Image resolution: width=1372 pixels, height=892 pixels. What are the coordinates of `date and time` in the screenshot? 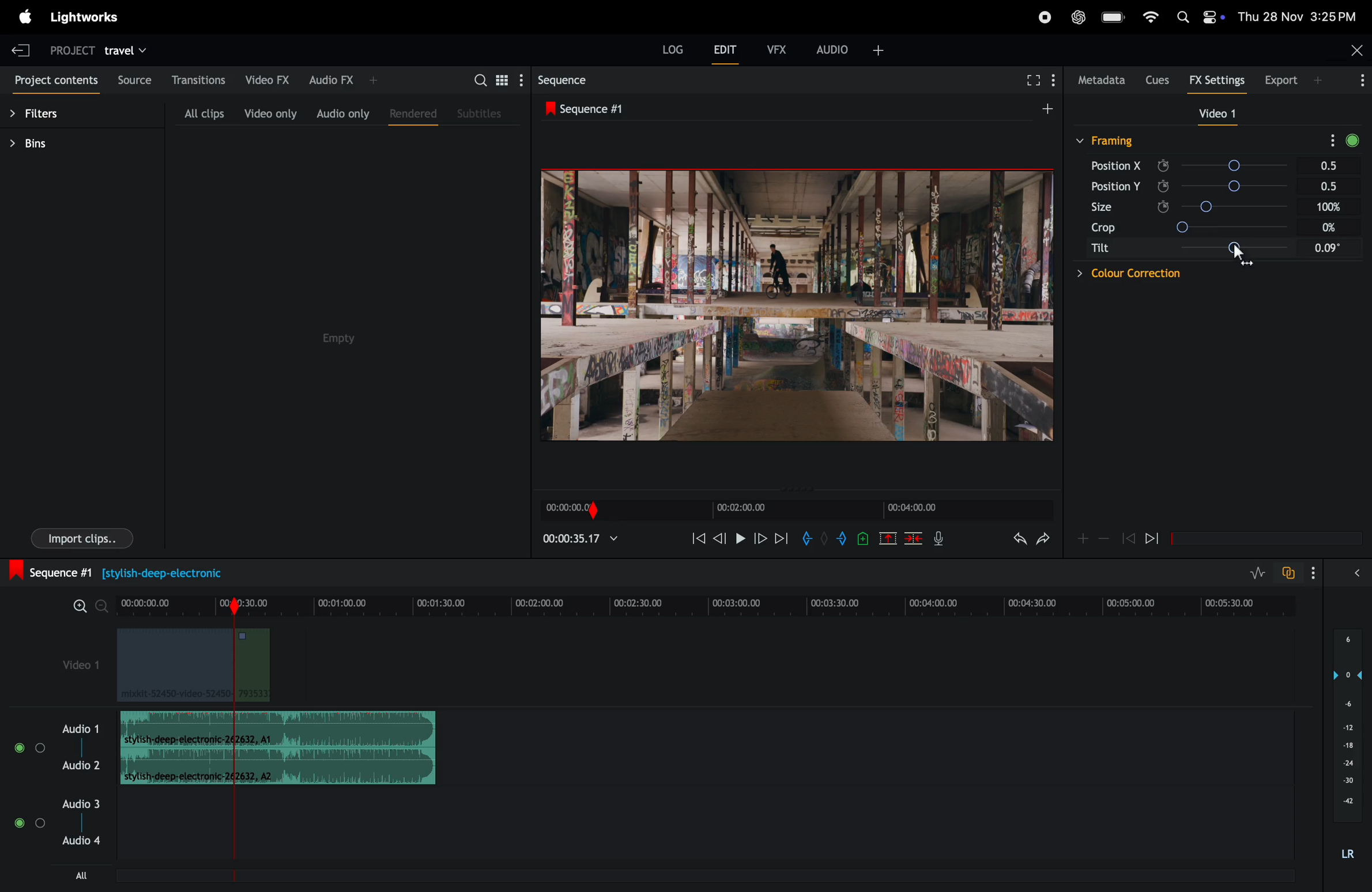 It's located at (1299, 17).